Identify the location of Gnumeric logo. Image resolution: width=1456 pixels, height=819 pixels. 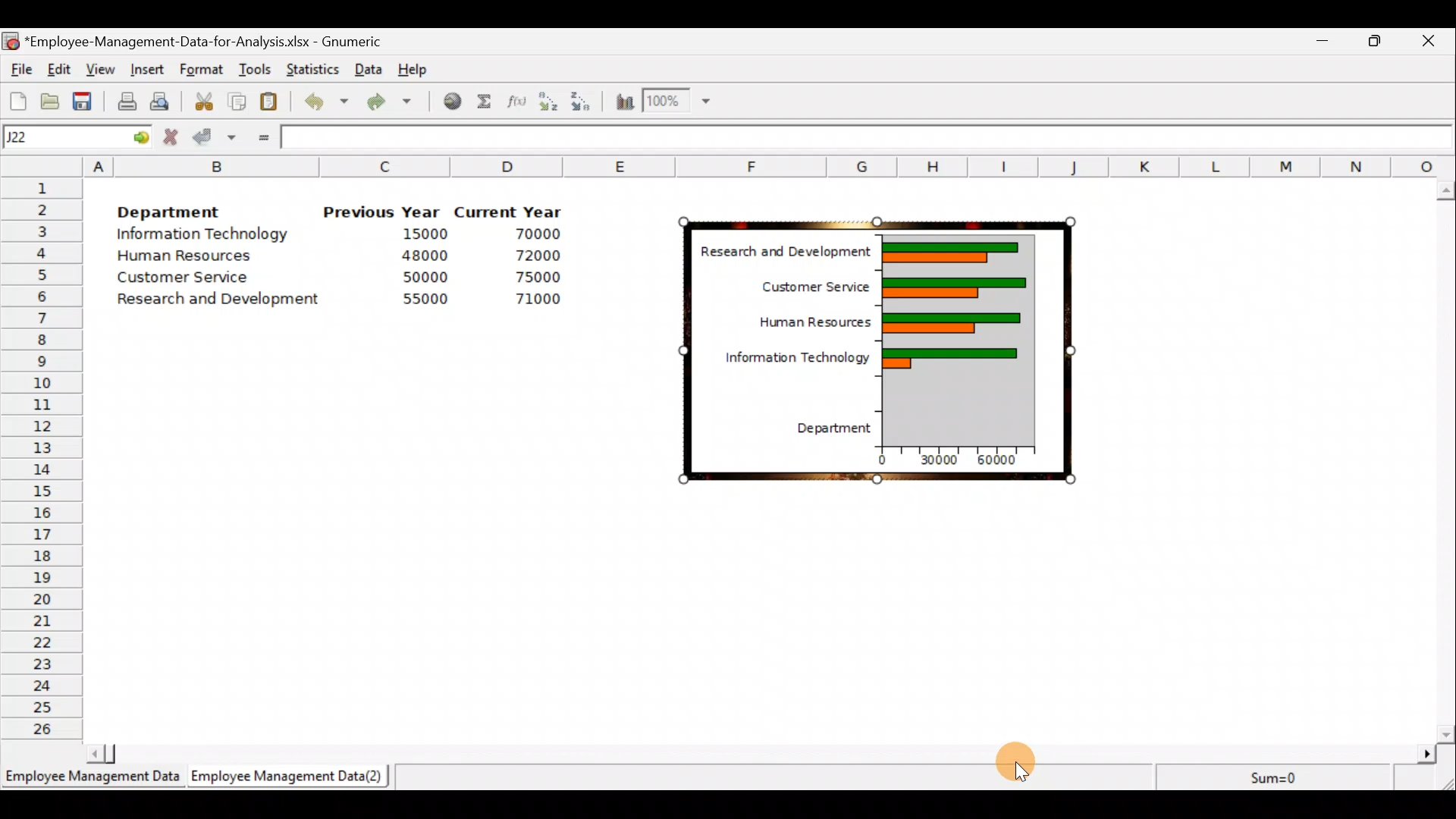
(12, 41).